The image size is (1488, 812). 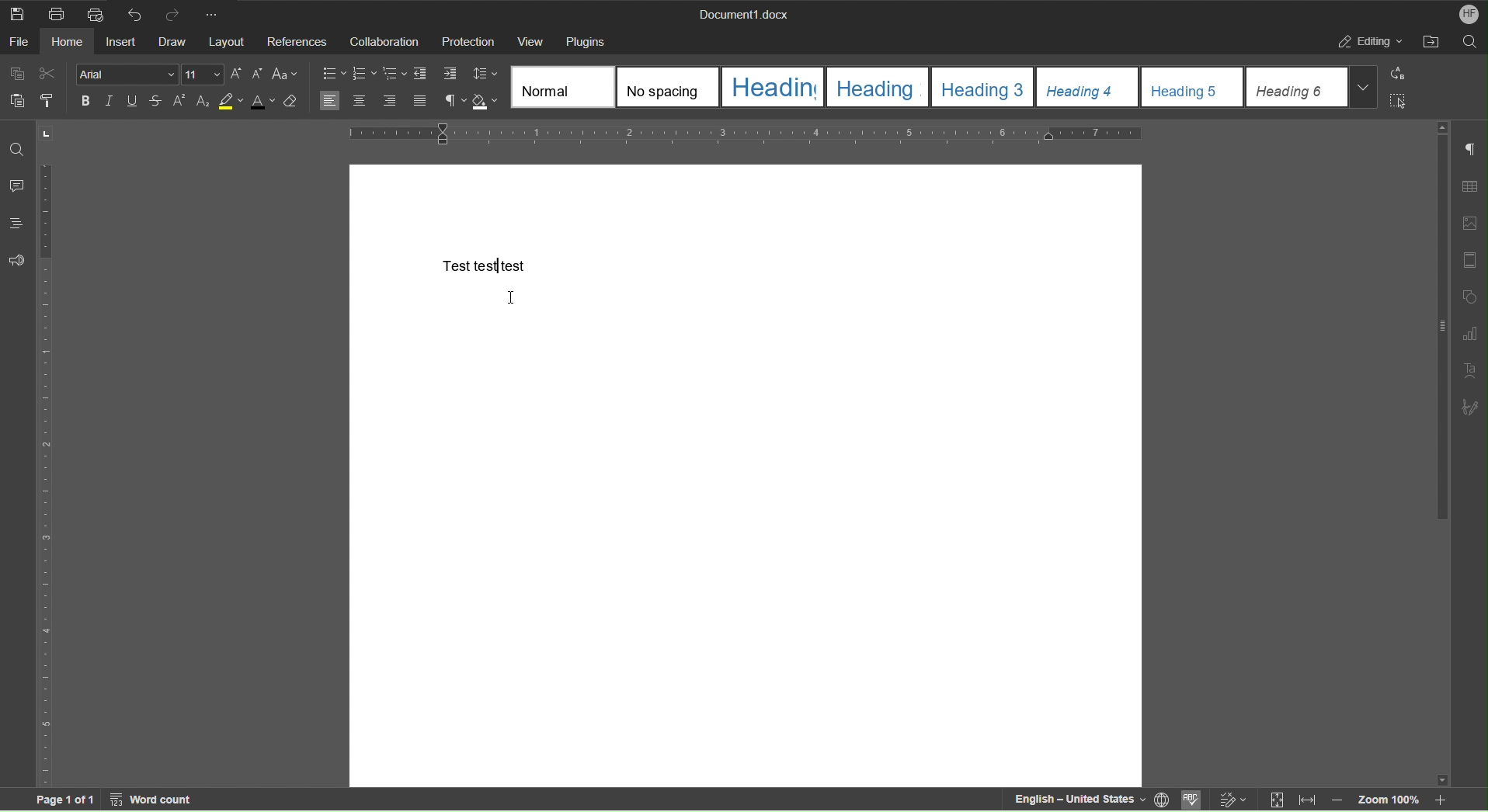 I want to click on Nested List, so click(x=395, y=74).